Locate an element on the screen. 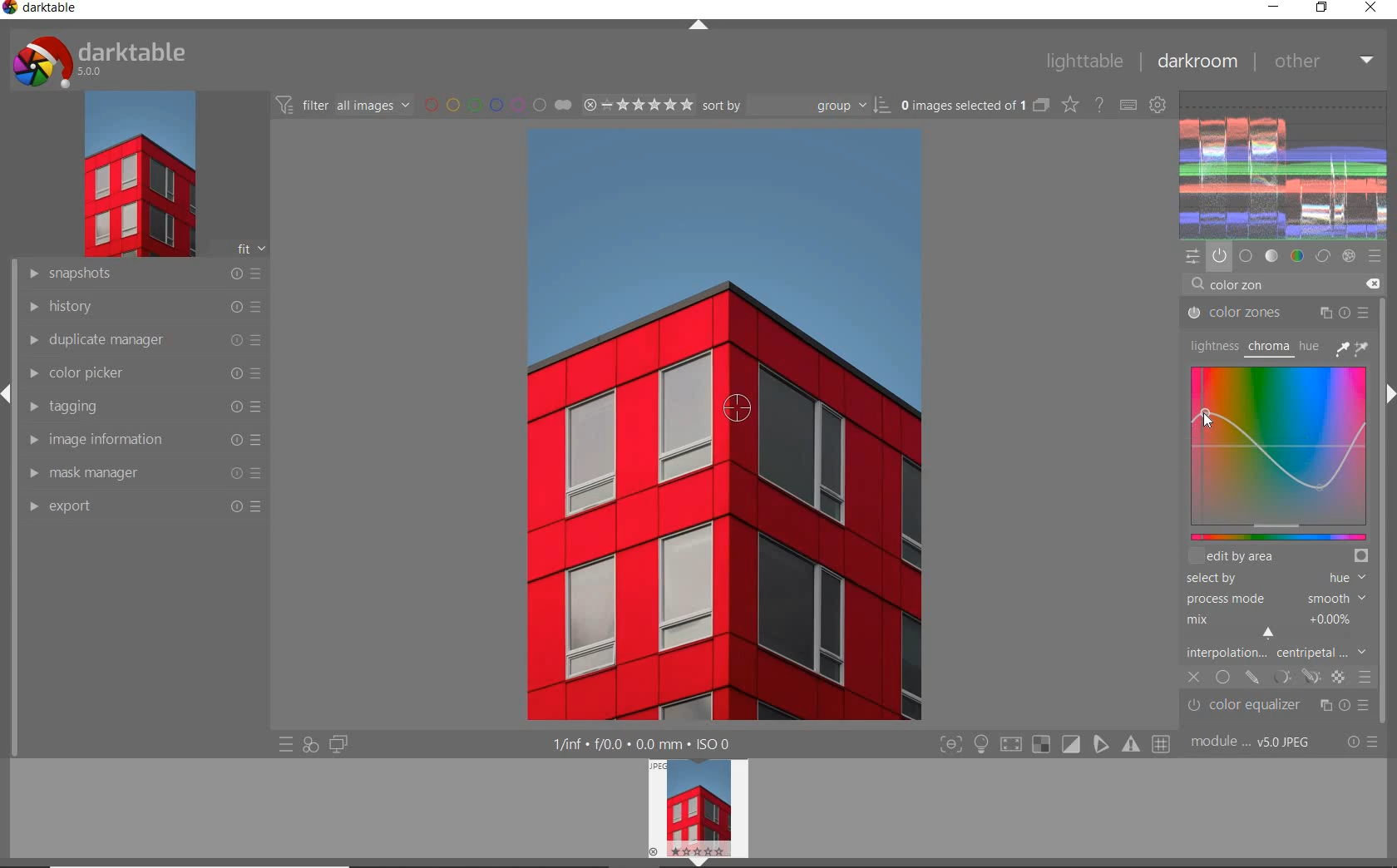 The image size is (1397, 868). Sort is located at coordinates (797, 106).